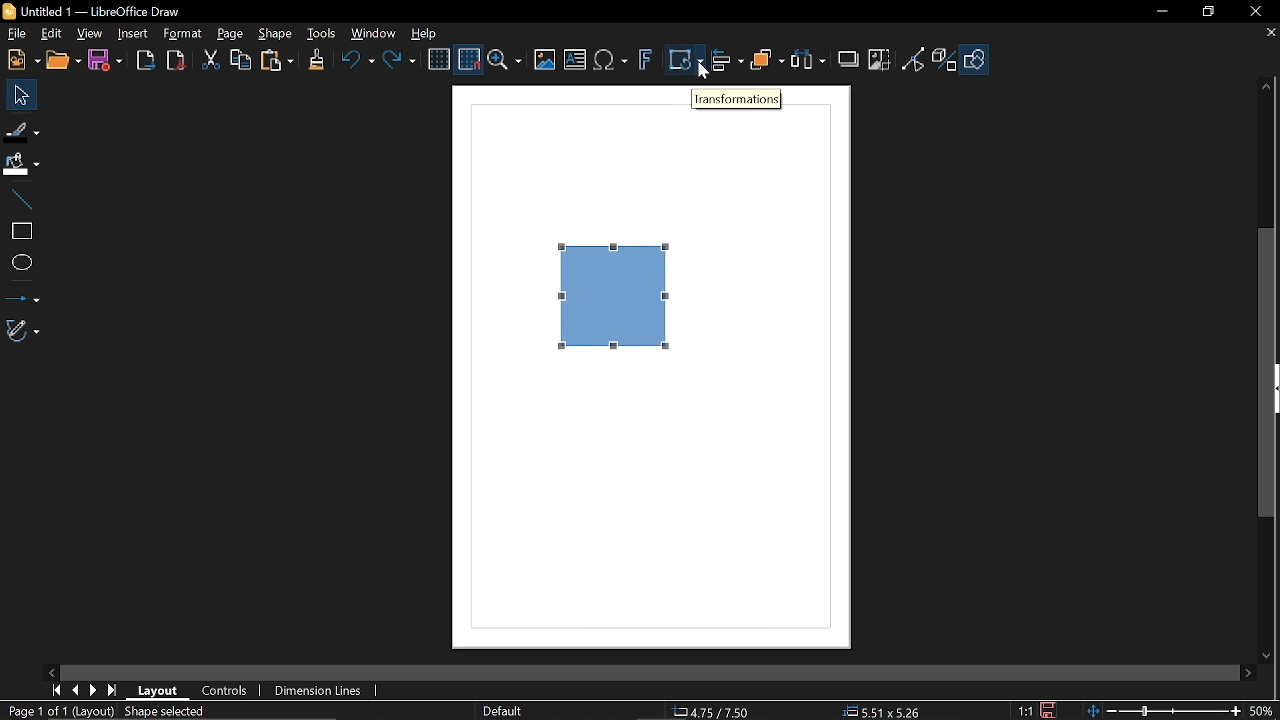  What do you see at coordinates (20, 200) in the screenshot?
I see `Line` at bounding box center [20, 200].